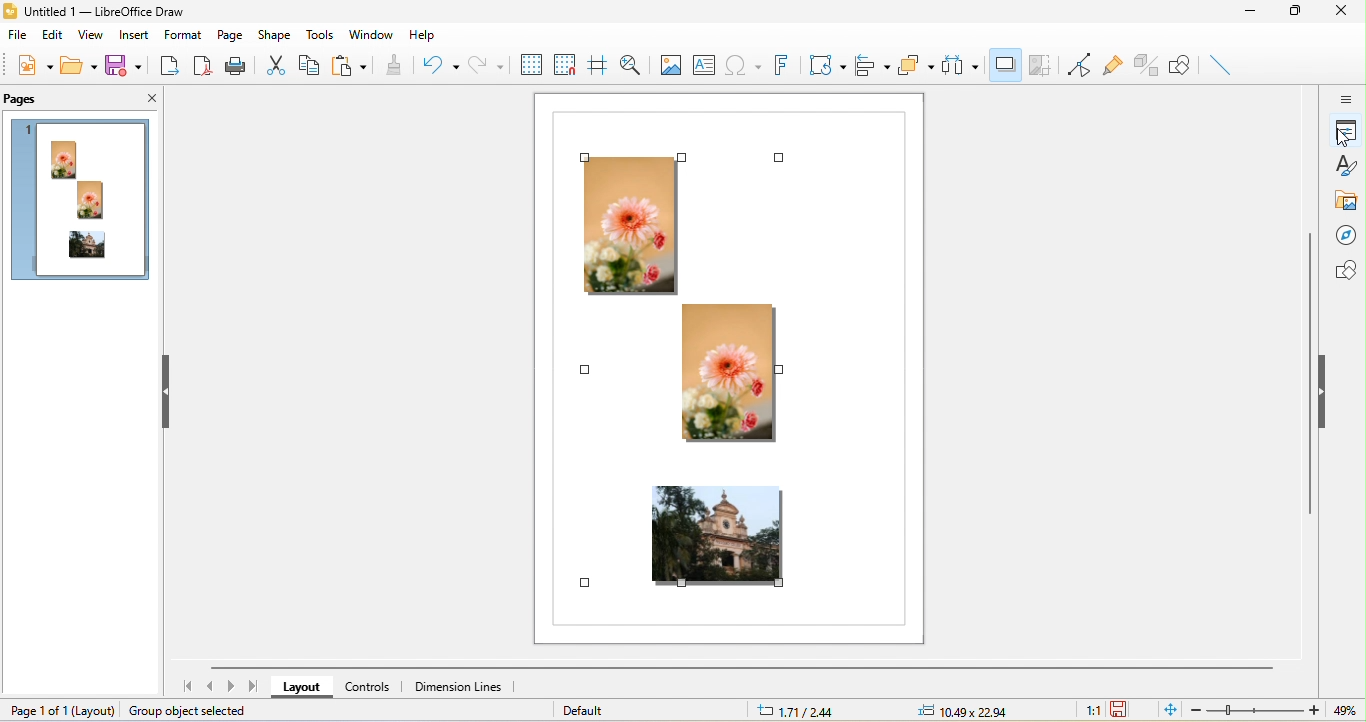 This screenshot has width=1366, height=722. What do you see at coordinates (702, 62) in the screenshot?
I see `text box` at bounding box center [702, 62].